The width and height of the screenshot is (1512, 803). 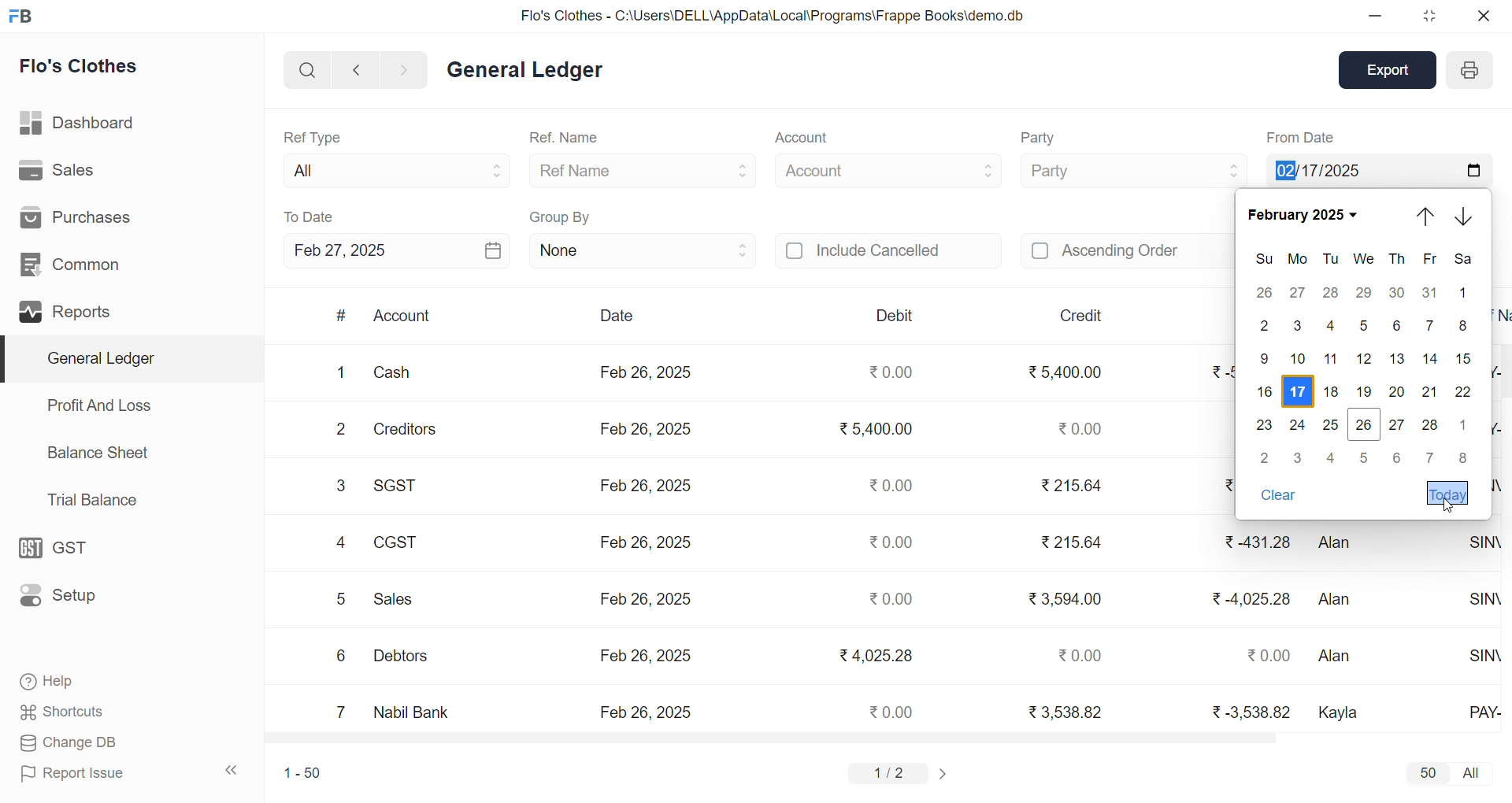 What do you see at coordinates (892, 711) in the screenshot?
I see `₹0.00` at bounding box center [892, 711].